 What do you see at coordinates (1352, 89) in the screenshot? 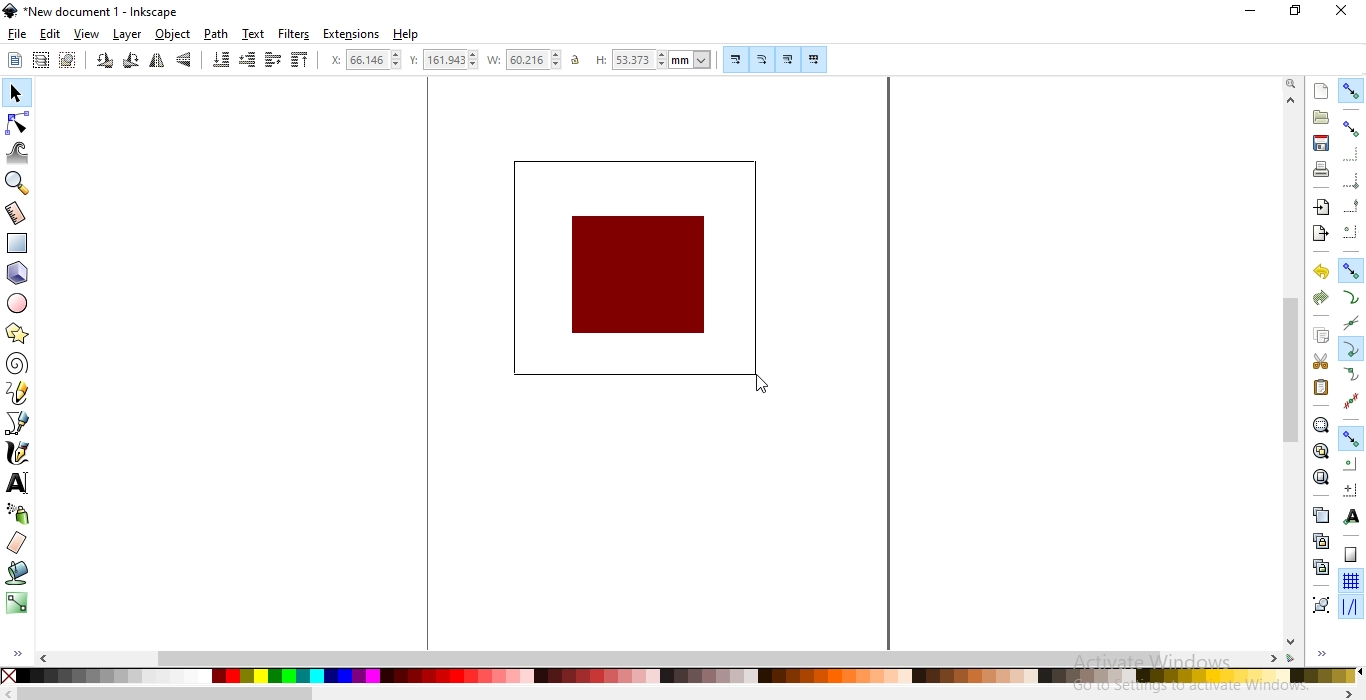
I see `enable snapping` at bounding box center [1352, 89].